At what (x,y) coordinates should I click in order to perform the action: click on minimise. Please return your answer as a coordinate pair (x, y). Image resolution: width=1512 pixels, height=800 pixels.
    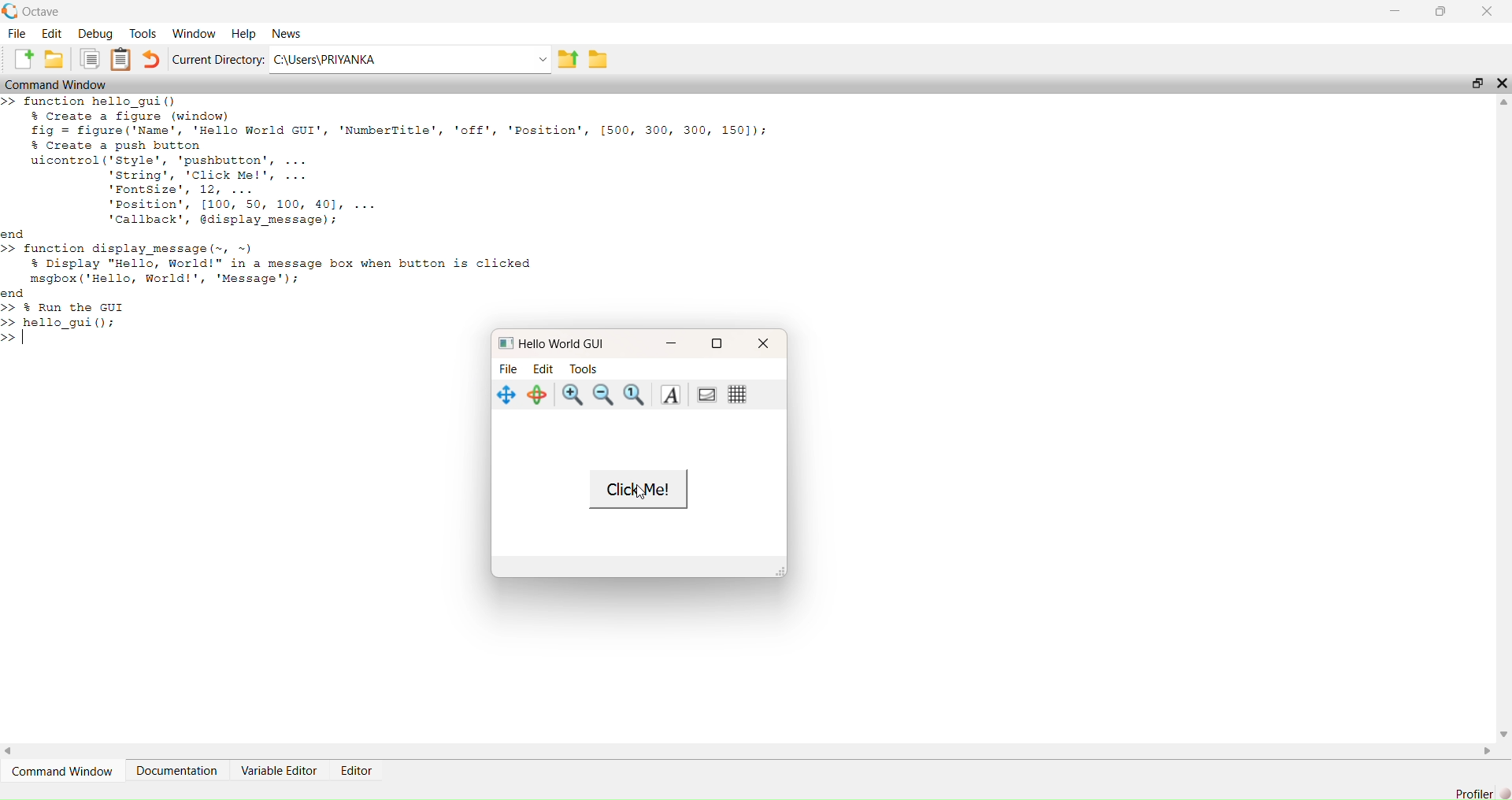
    Looking at the image, I should click on (1392, 9).